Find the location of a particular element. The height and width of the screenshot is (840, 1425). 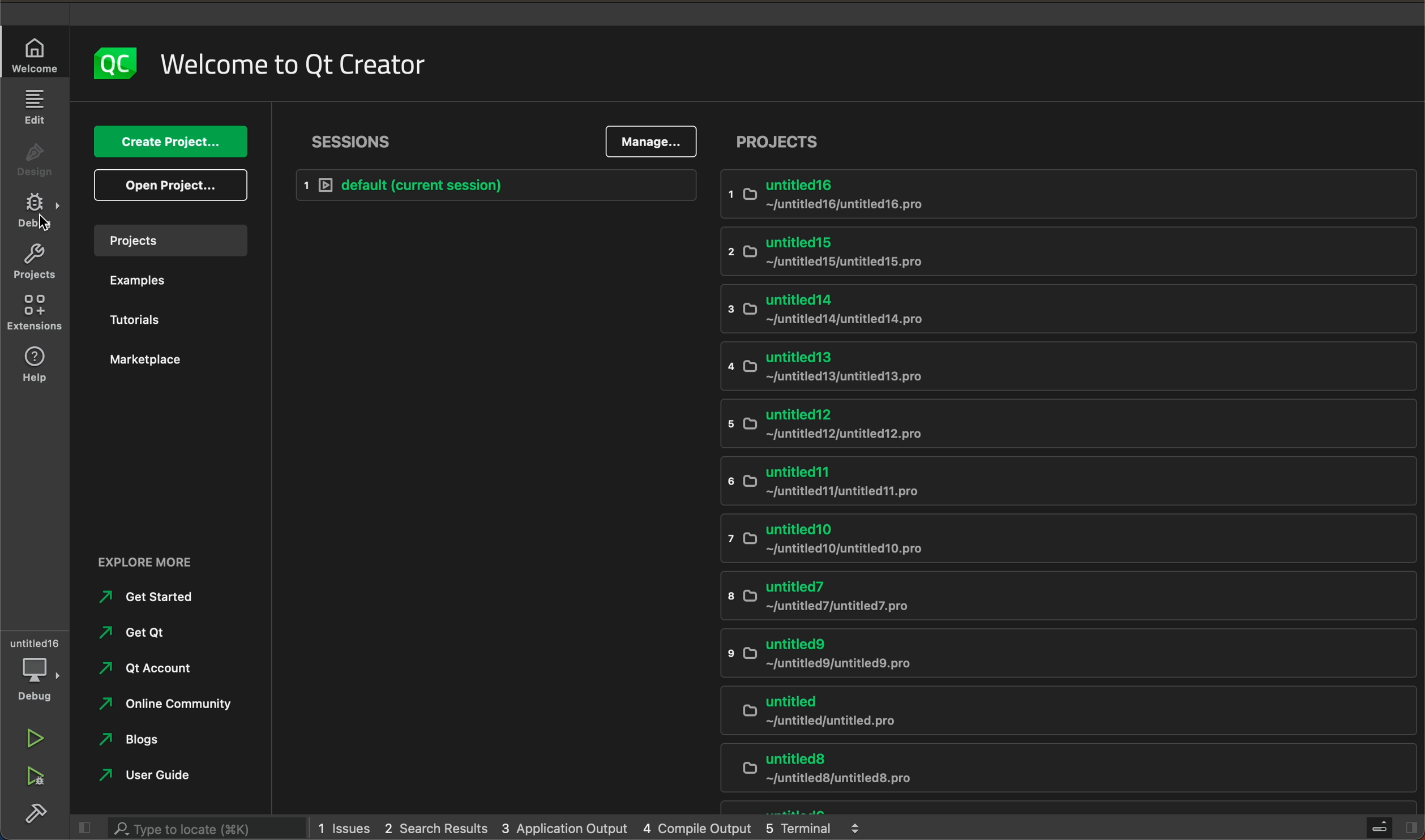

sessions is located at coordinates (353, 139).